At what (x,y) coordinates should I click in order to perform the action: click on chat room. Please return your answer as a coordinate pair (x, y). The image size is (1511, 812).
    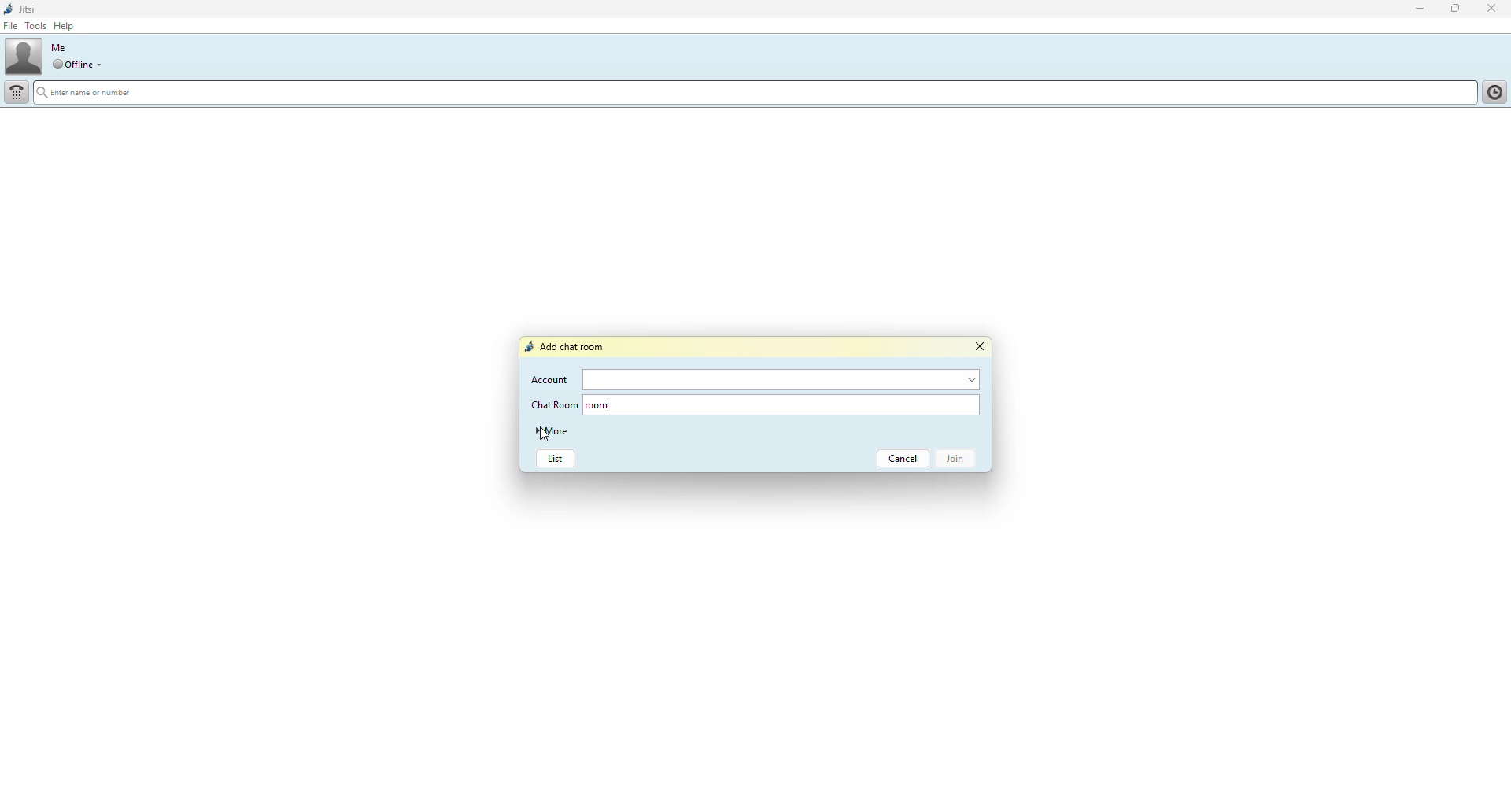
    Looking at the image, I should click on (807, 405).